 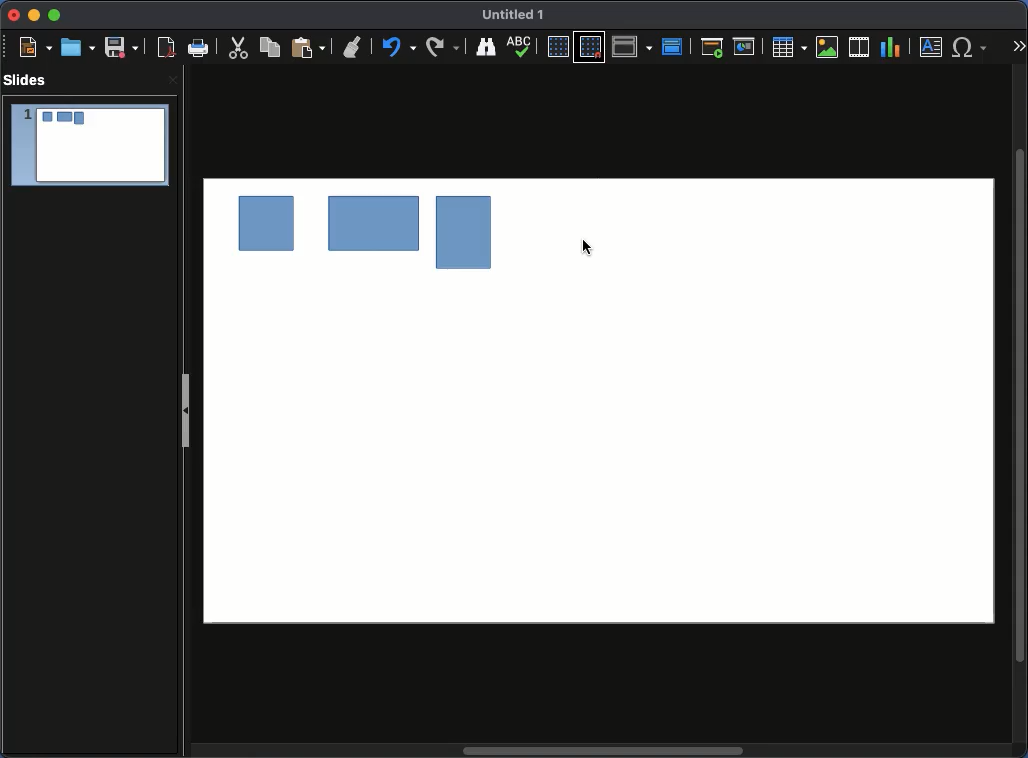 What do you see at coordinates (829, 48) in the screenshot?
I see `Image` at bounding box center [829, 48].